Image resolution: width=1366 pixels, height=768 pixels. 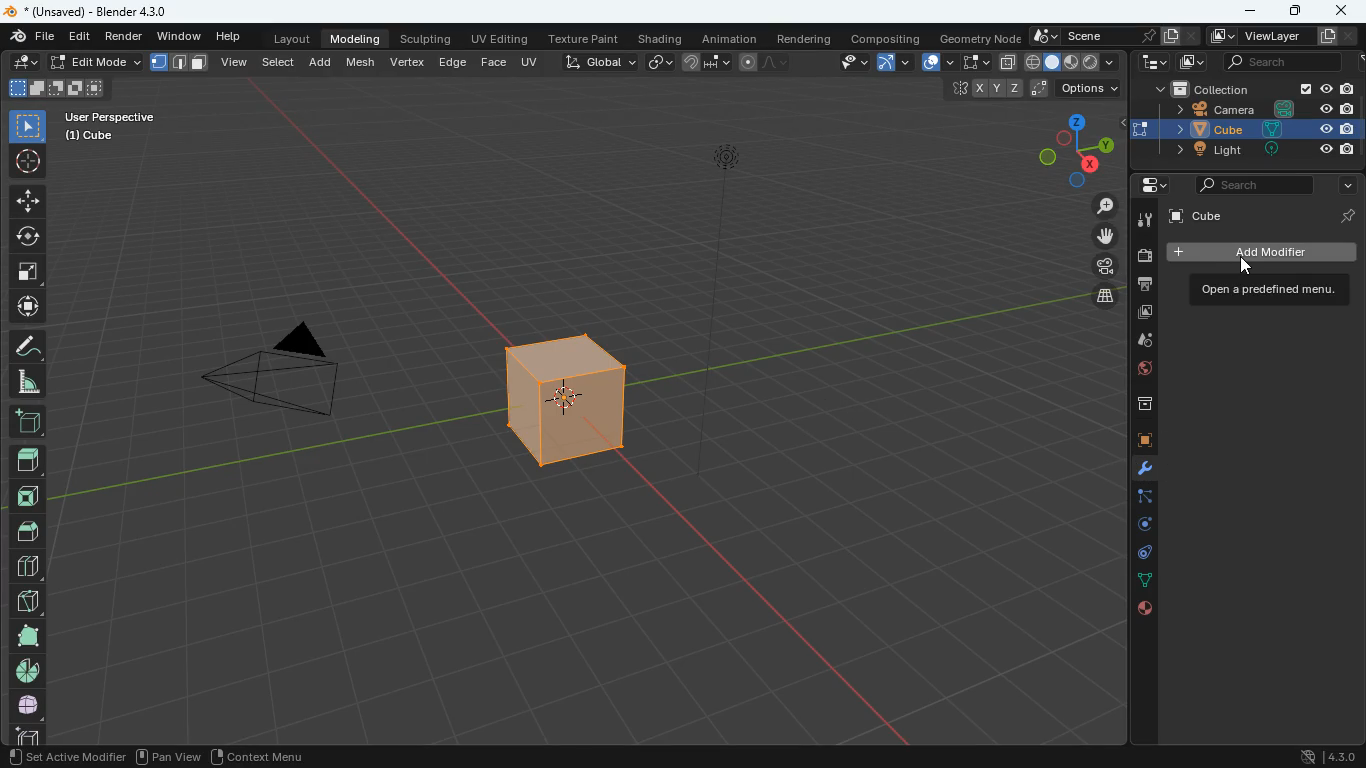 I want to click on more, so click(x=1346, y=182).